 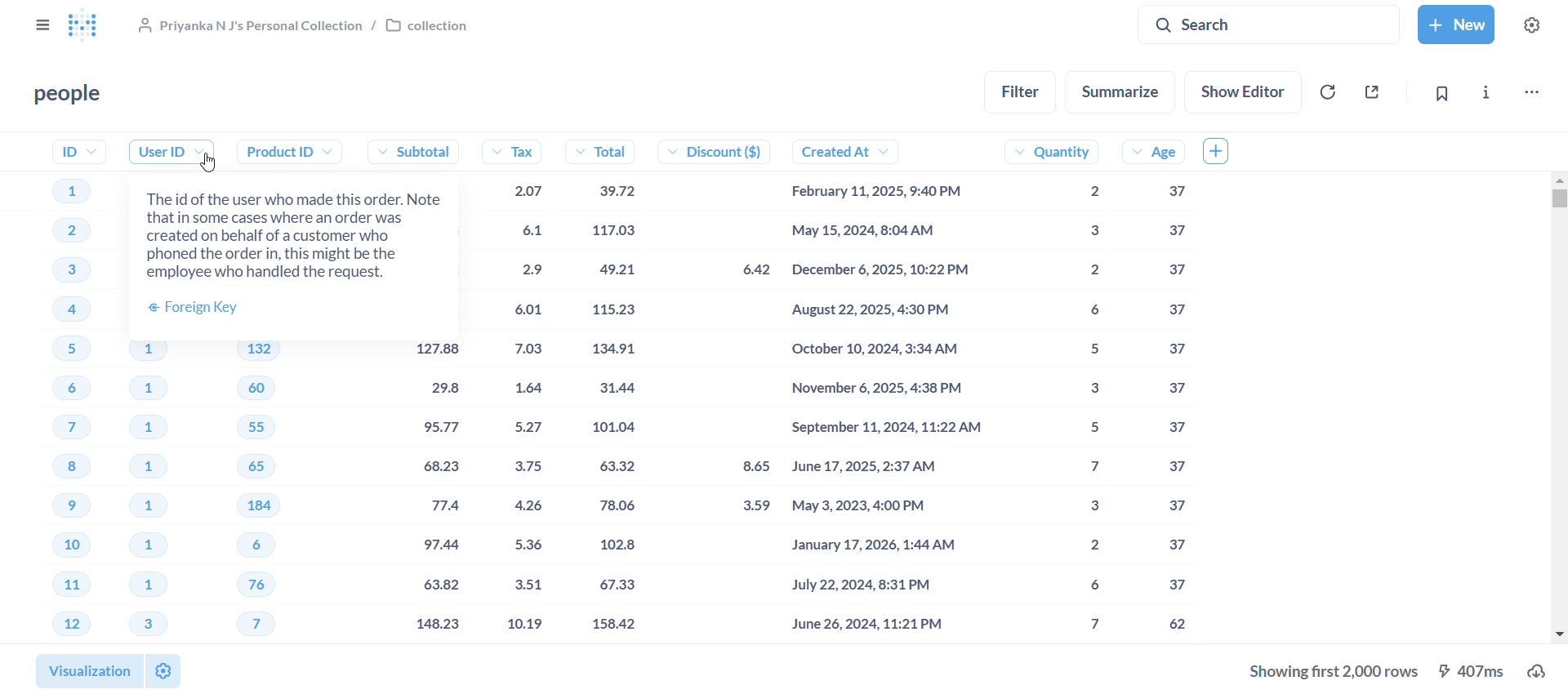 What do you see at coordinates (207, 161) in the screenshot?
I see `Cursor` at bounding box center [207, 161].